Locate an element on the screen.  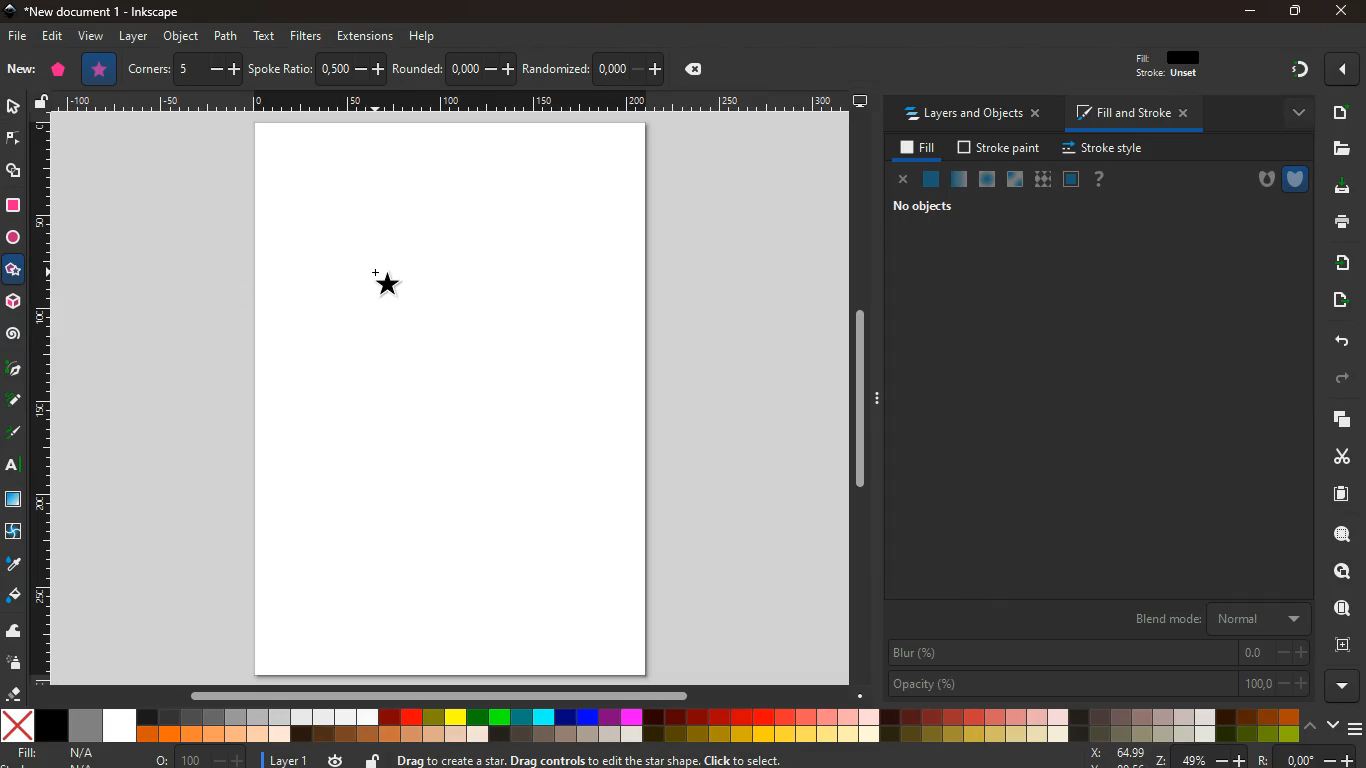
star is located at coordinates (12, 270).